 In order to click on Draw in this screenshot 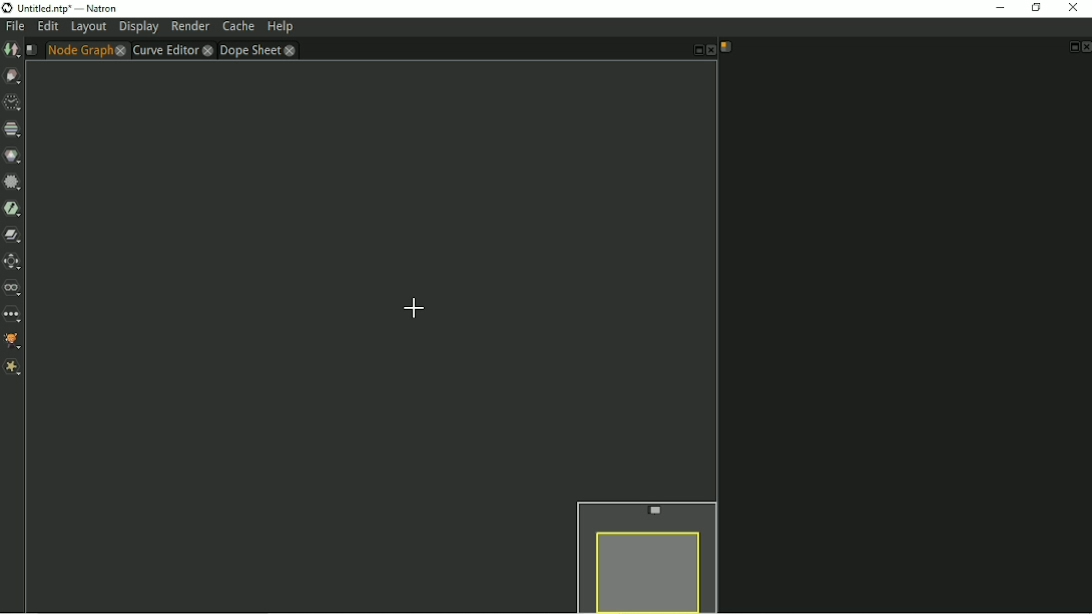, I will do `click(13, 76)`.